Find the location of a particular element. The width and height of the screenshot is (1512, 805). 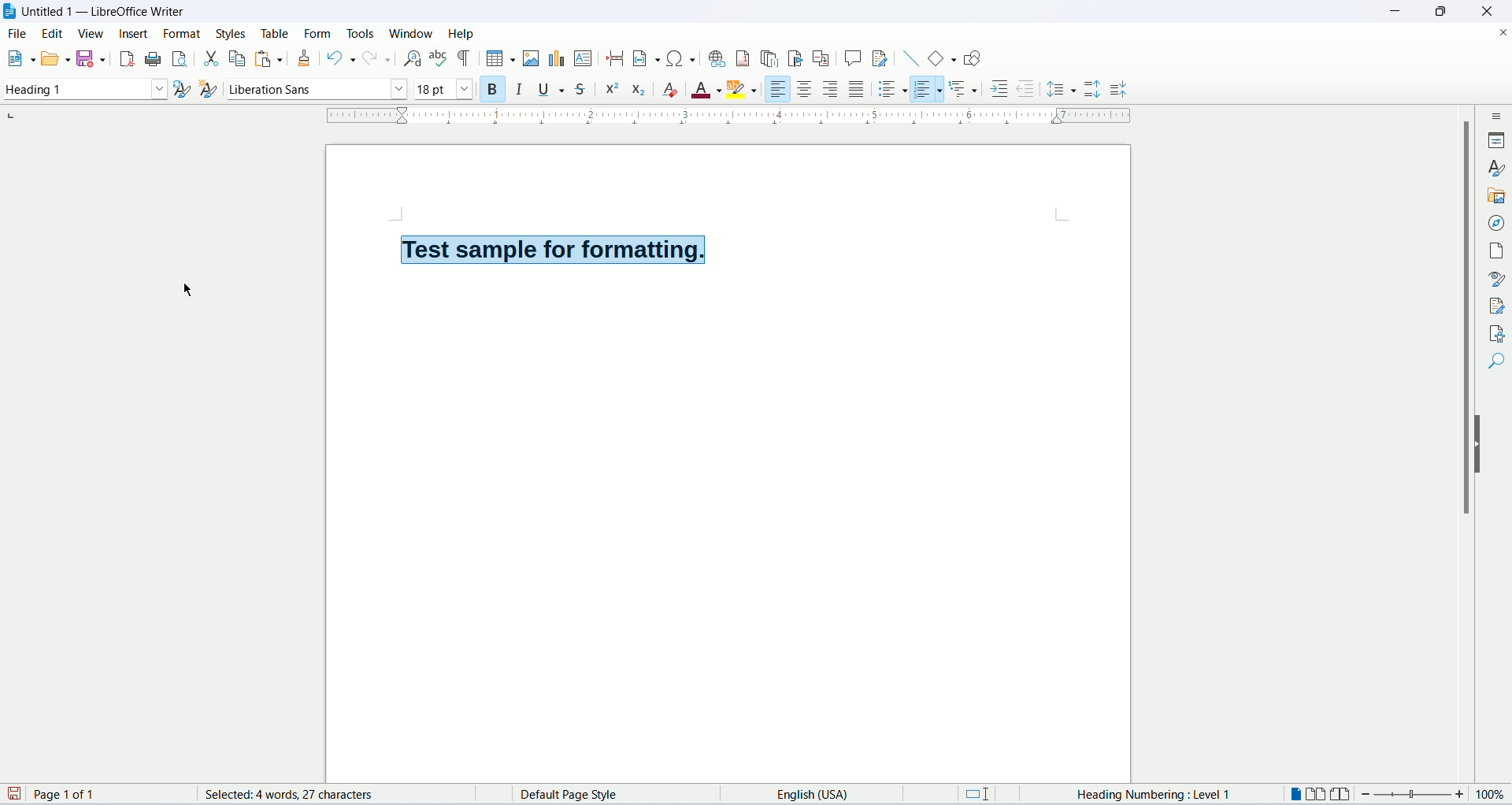

copy is located at coordinates (234, 58).